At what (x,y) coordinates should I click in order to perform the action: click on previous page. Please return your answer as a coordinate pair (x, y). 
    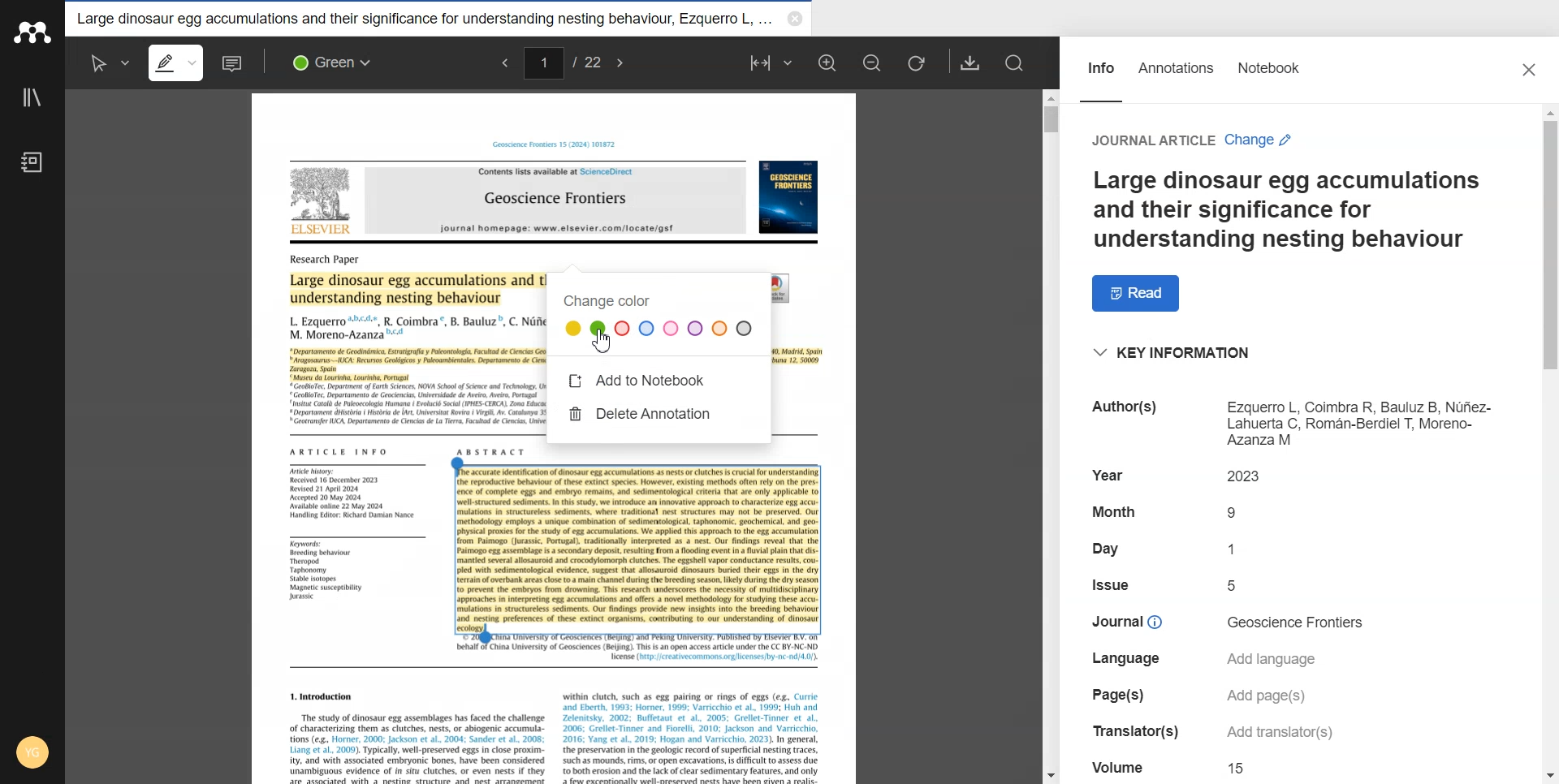
    Looking at the image, I should click on (501, 64).